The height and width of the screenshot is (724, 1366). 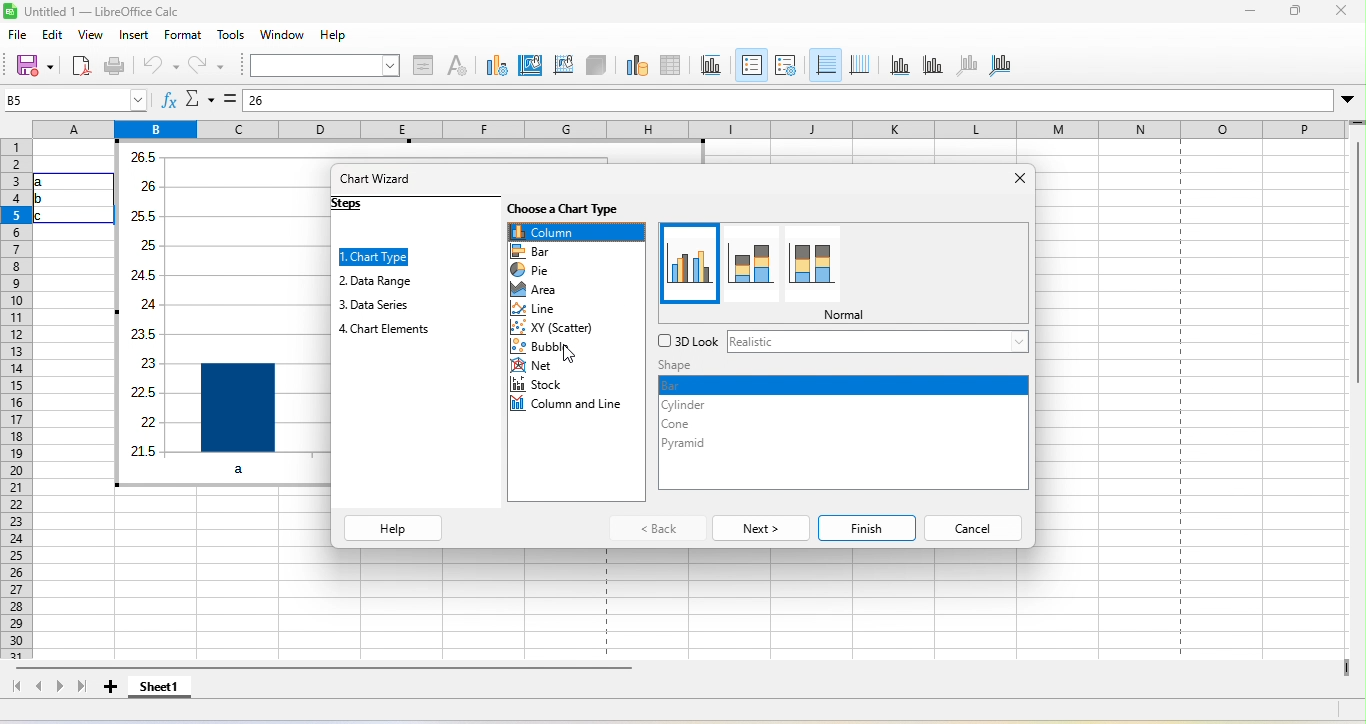 What do you see at coordinates (390, 330) in the screenshot?
I see `chart element` at bounding box center [390, 330].